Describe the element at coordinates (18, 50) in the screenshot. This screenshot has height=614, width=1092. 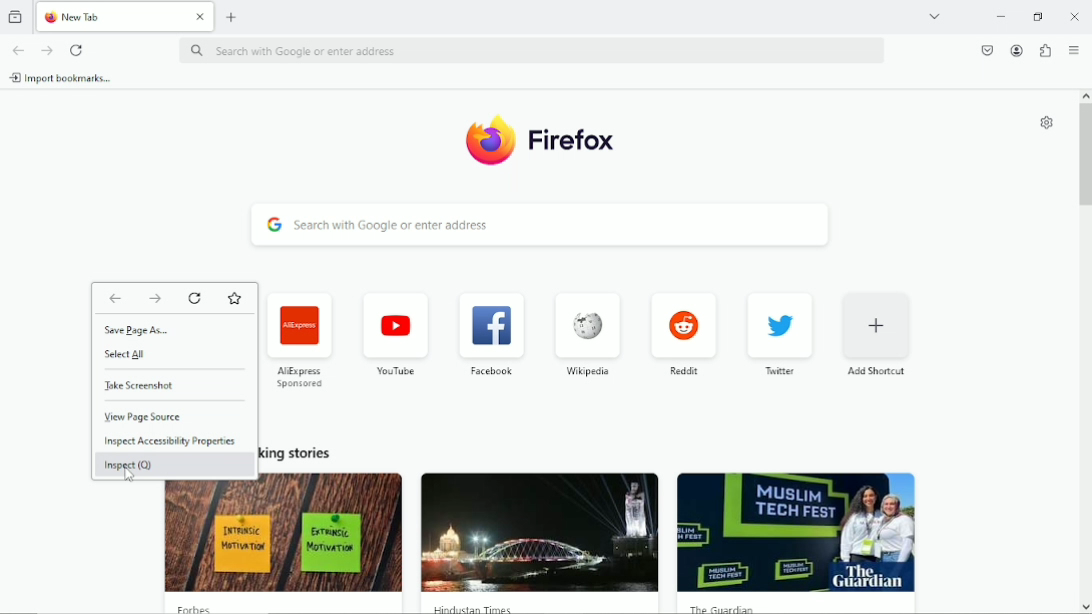
I see `go back` at that location.